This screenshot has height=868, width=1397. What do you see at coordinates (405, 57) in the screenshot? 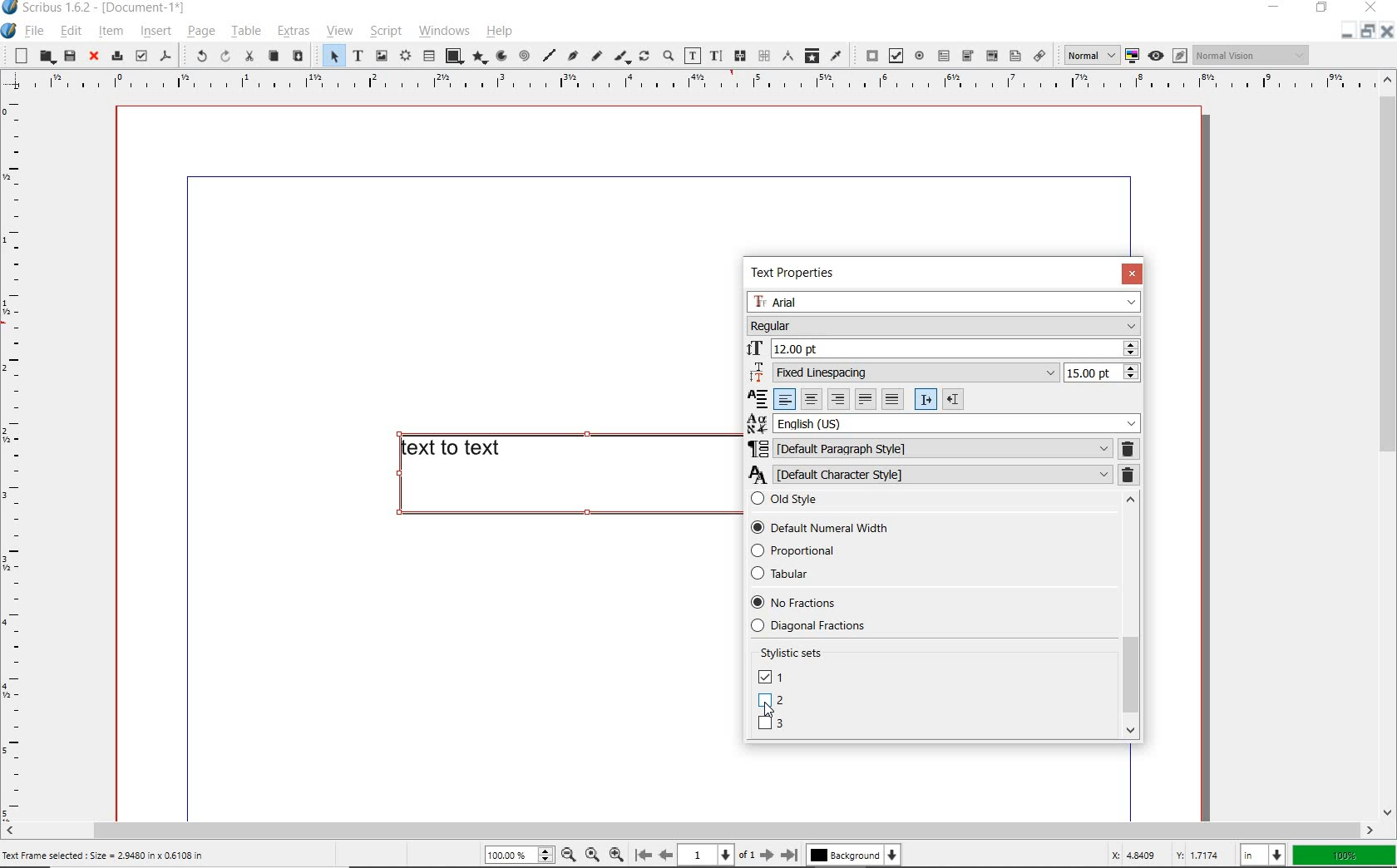
I see `render frame` at bounding box center [405, 57].